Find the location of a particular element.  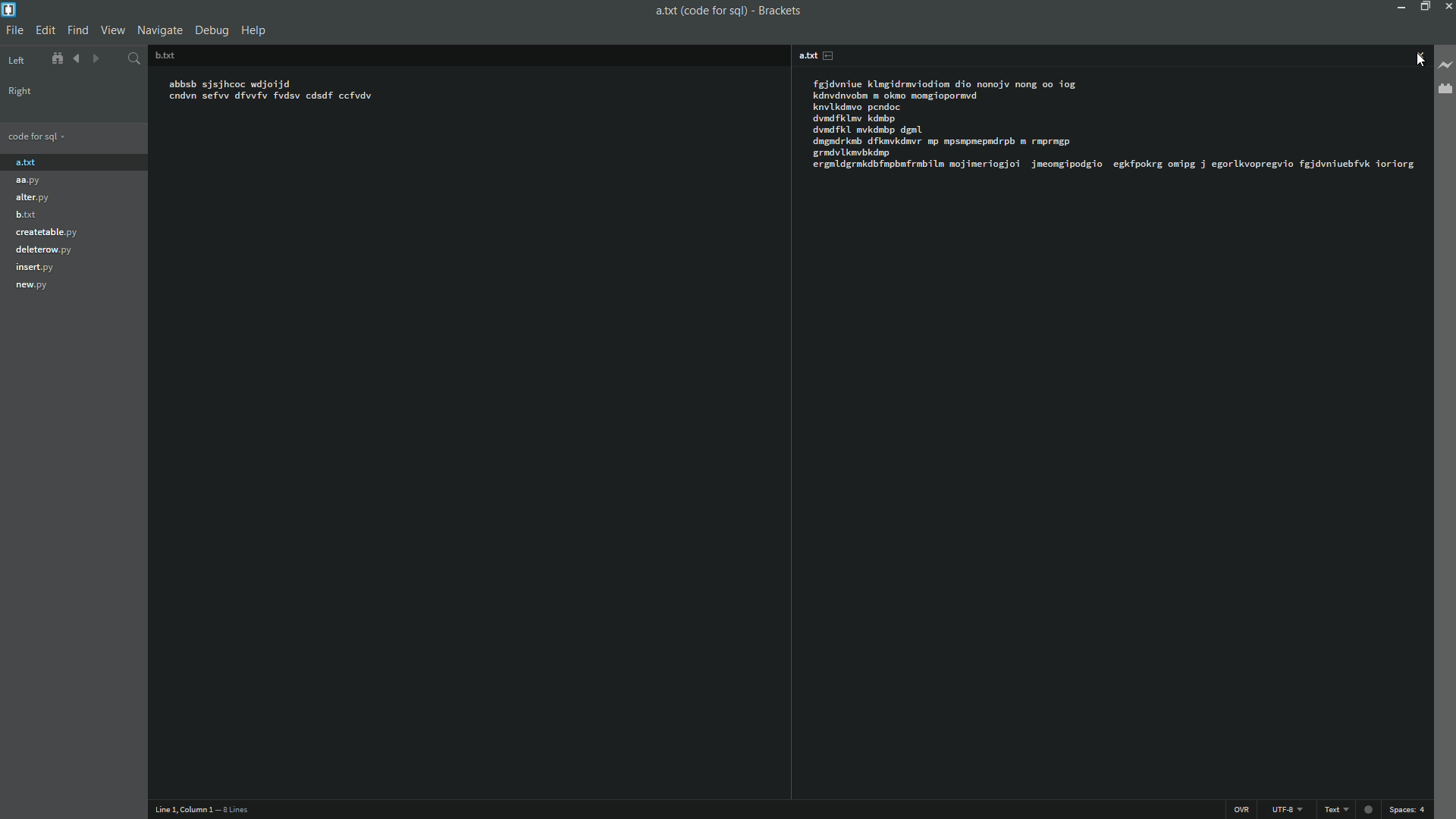

right is located at coordinates (19, 91).